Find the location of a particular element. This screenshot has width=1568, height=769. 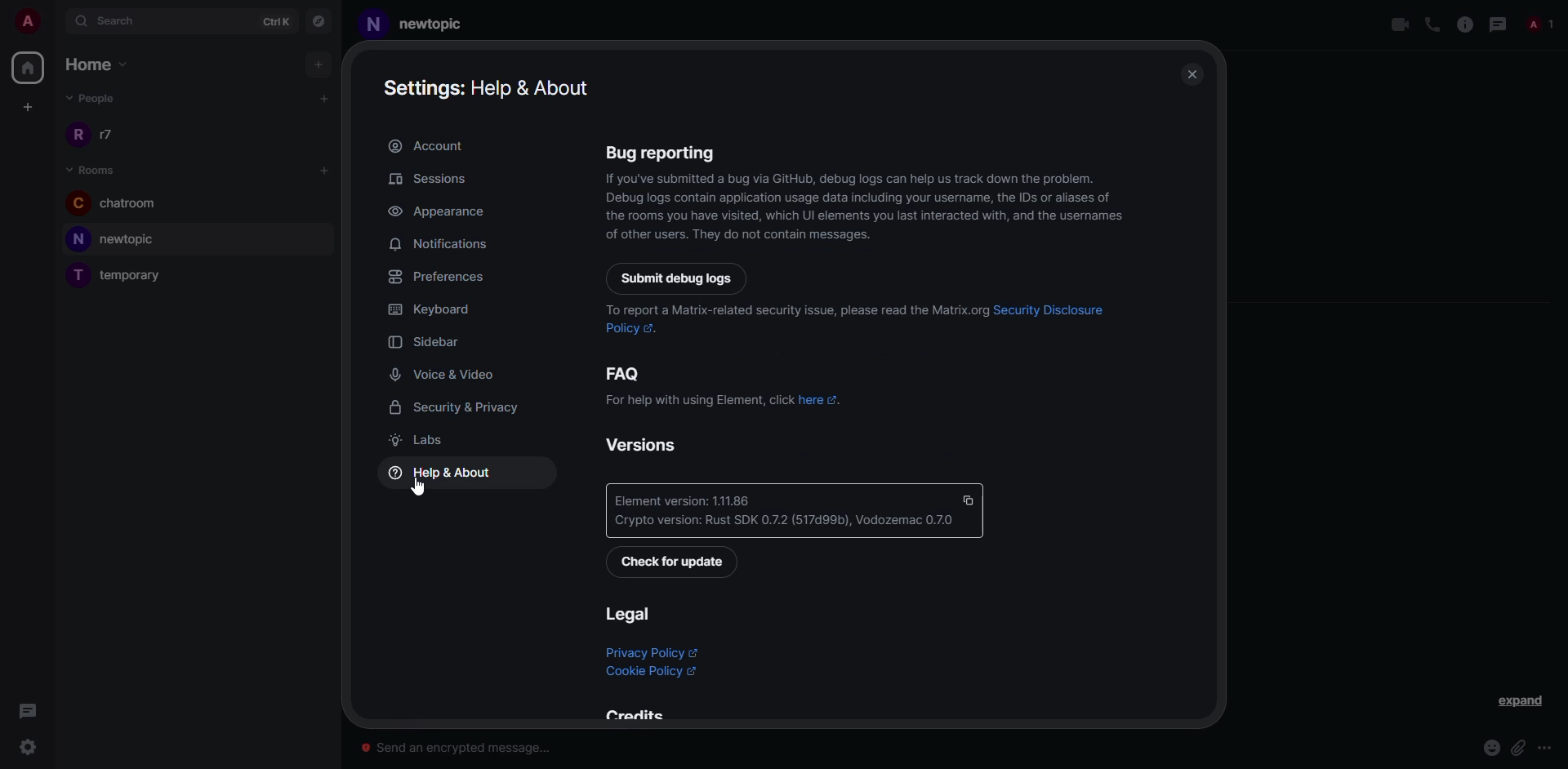

add is located at coordinates (316, 63).